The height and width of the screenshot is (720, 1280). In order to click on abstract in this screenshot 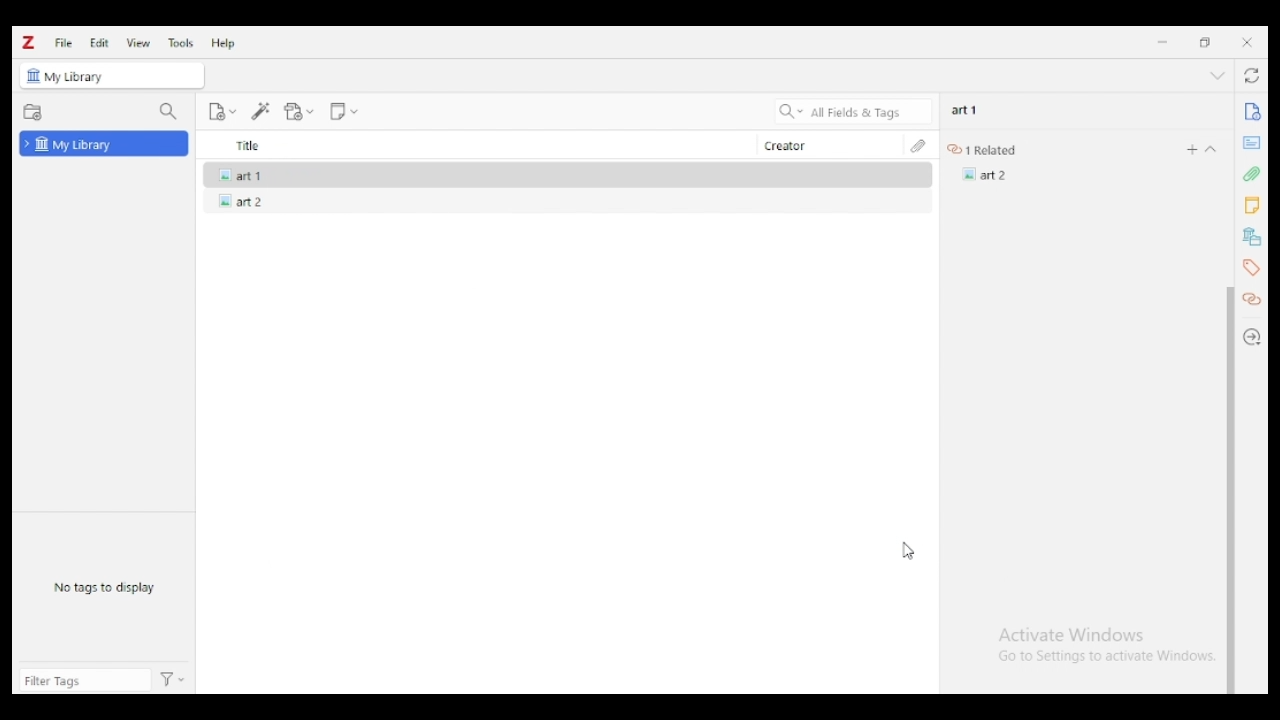, I will do `click(1251, 143)`.